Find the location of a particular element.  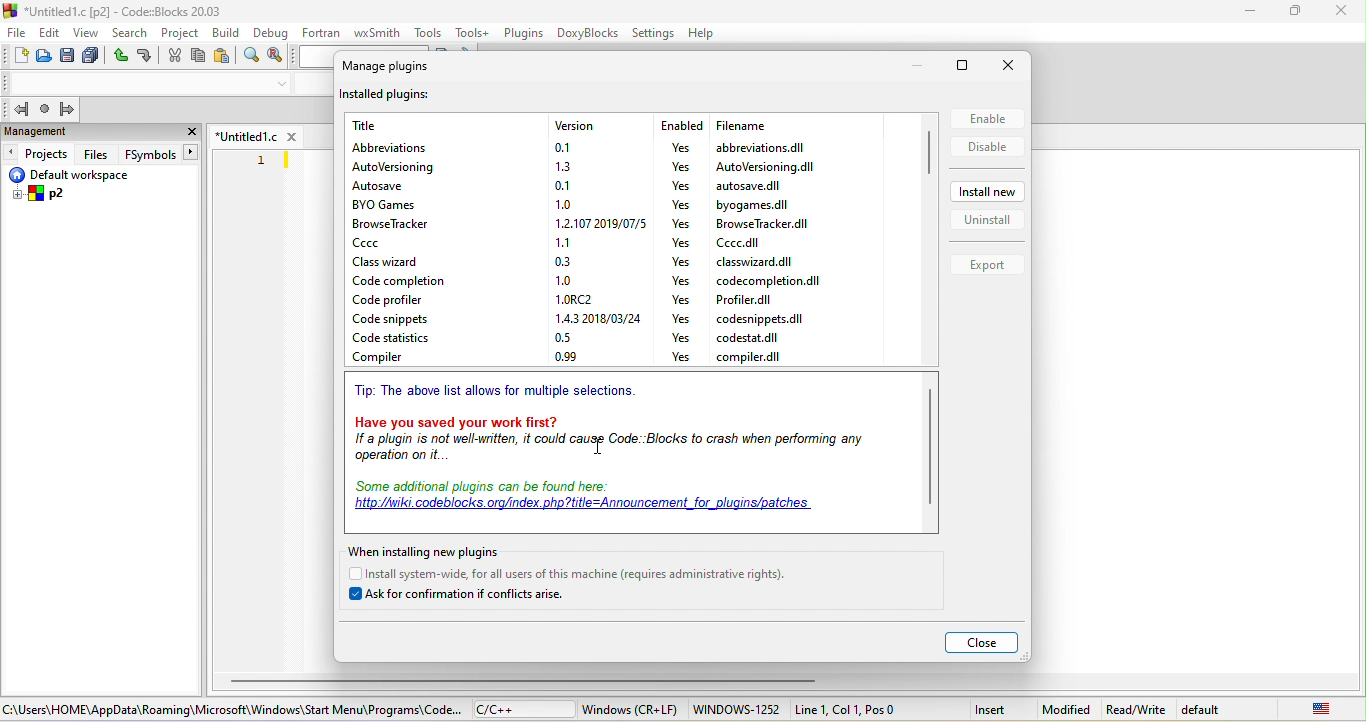

file is located at coordinates (18, 34).